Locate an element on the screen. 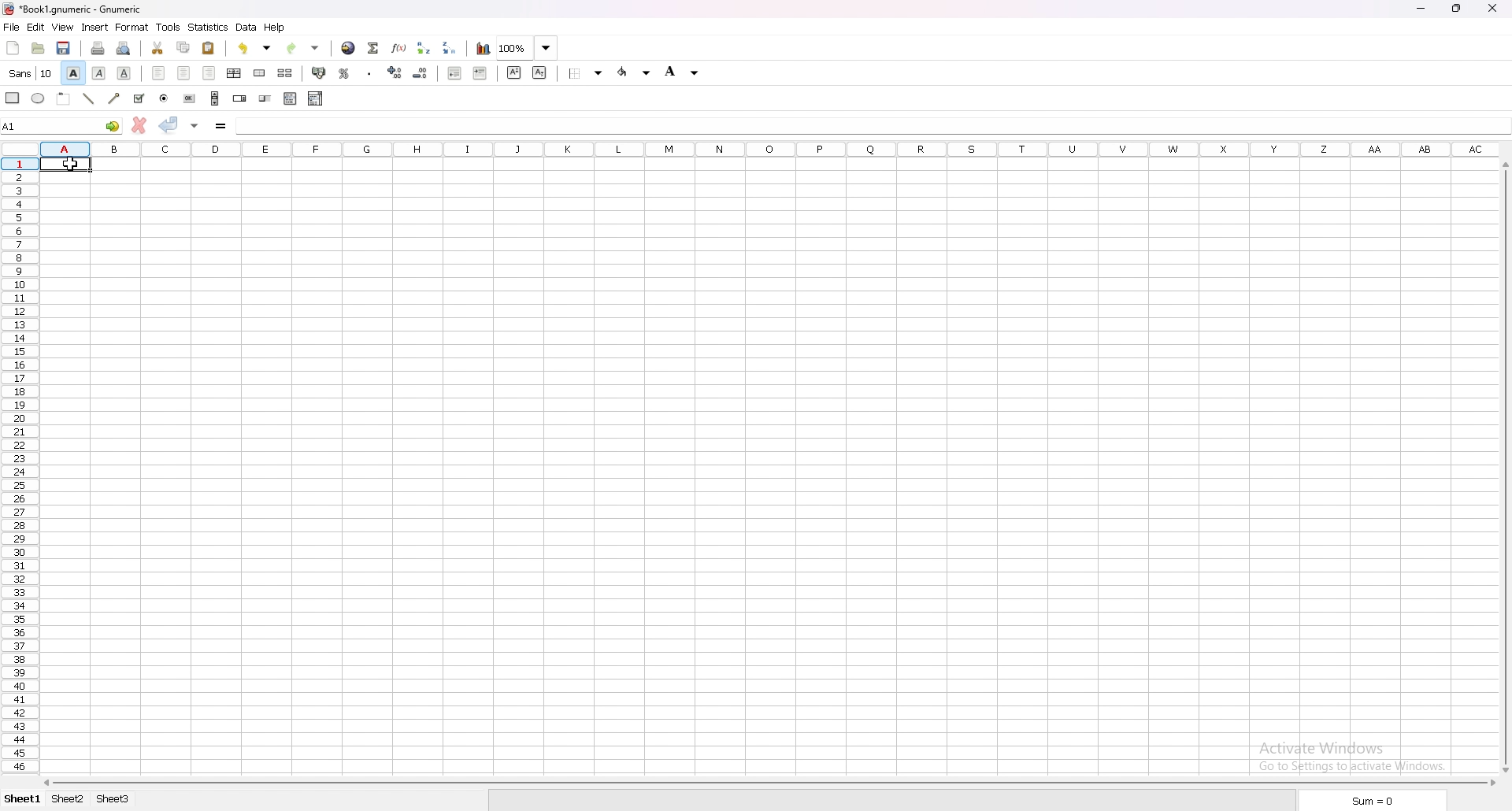  subscript is located at coordinates (539, 72).